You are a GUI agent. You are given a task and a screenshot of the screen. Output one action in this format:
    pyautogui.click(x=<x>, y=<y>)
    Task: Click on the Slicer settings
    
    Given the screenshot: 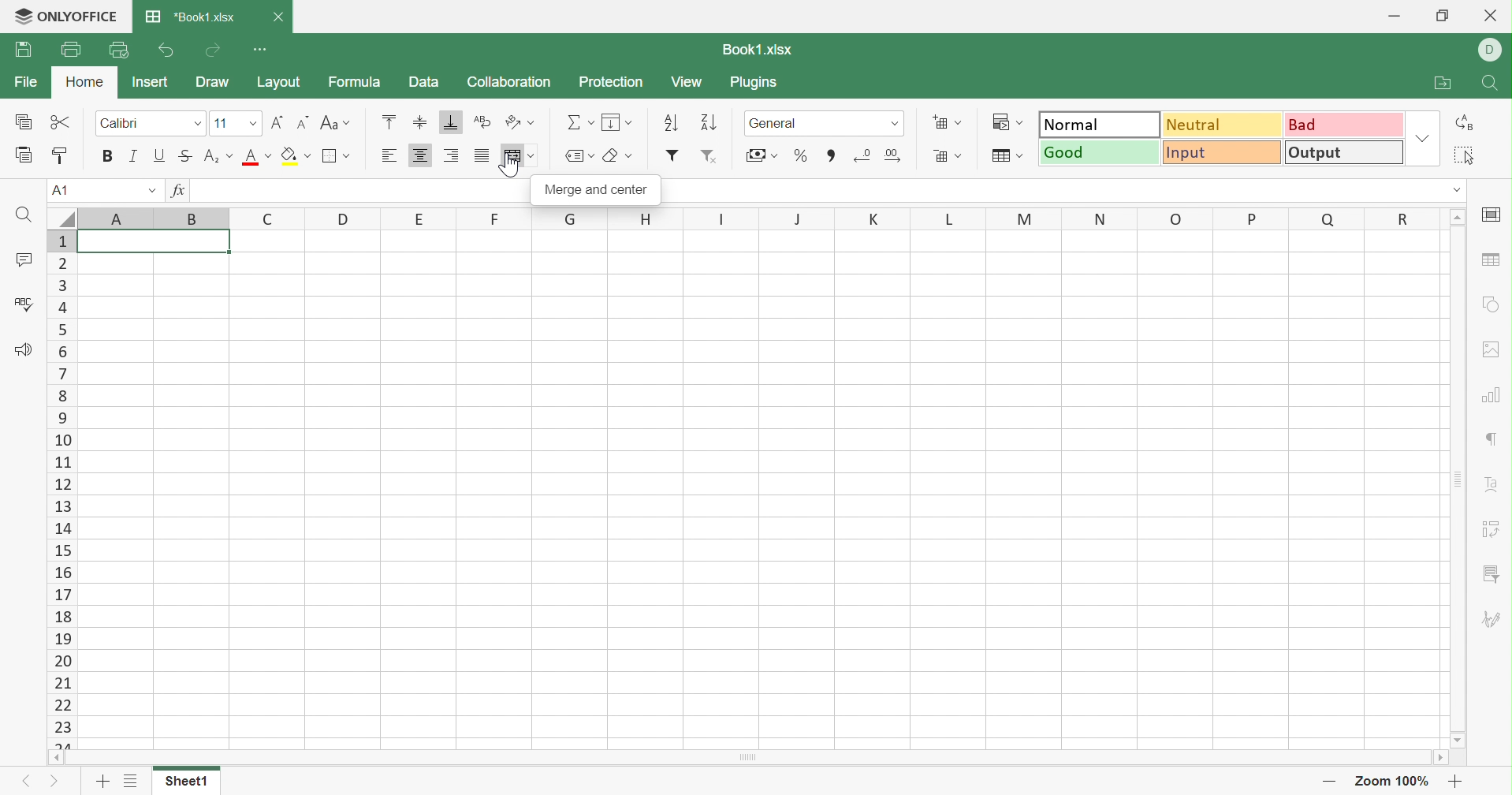 What is the action you would take?
    pyautogui.click(x=1491, y=575)
    